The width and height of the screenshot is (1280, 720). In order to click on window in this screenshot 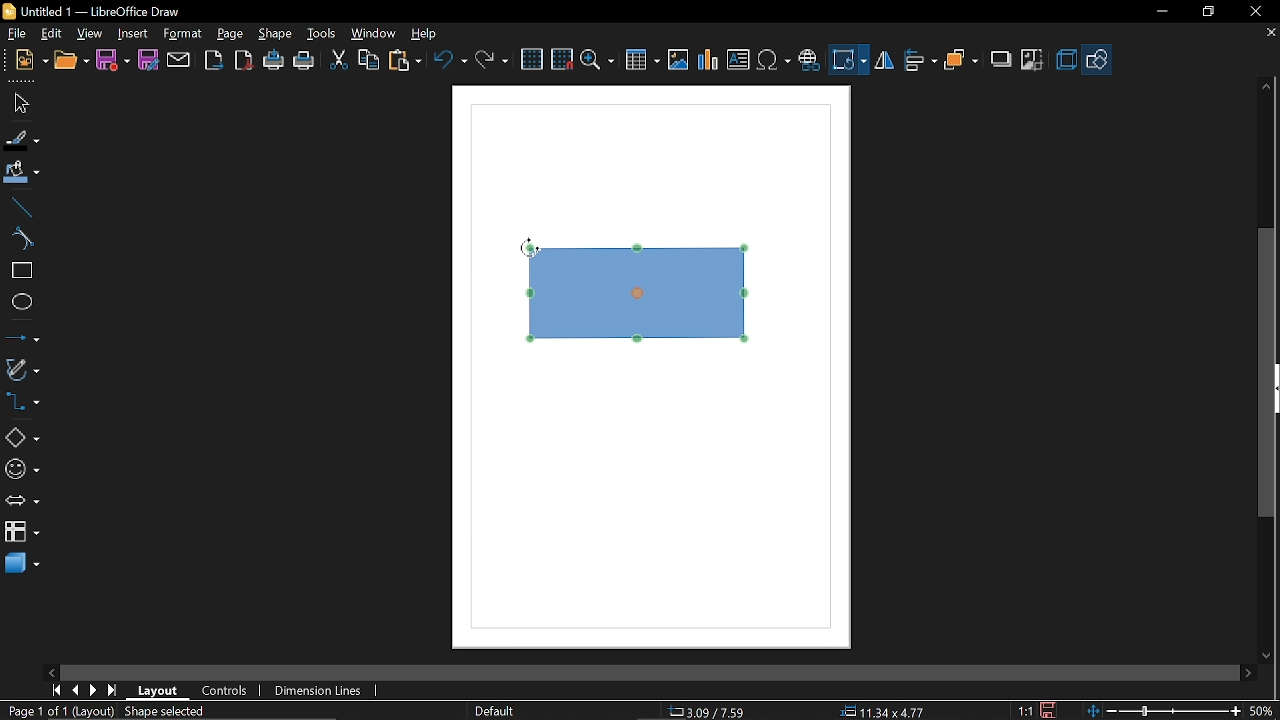, I will do `click(374, 36)`.